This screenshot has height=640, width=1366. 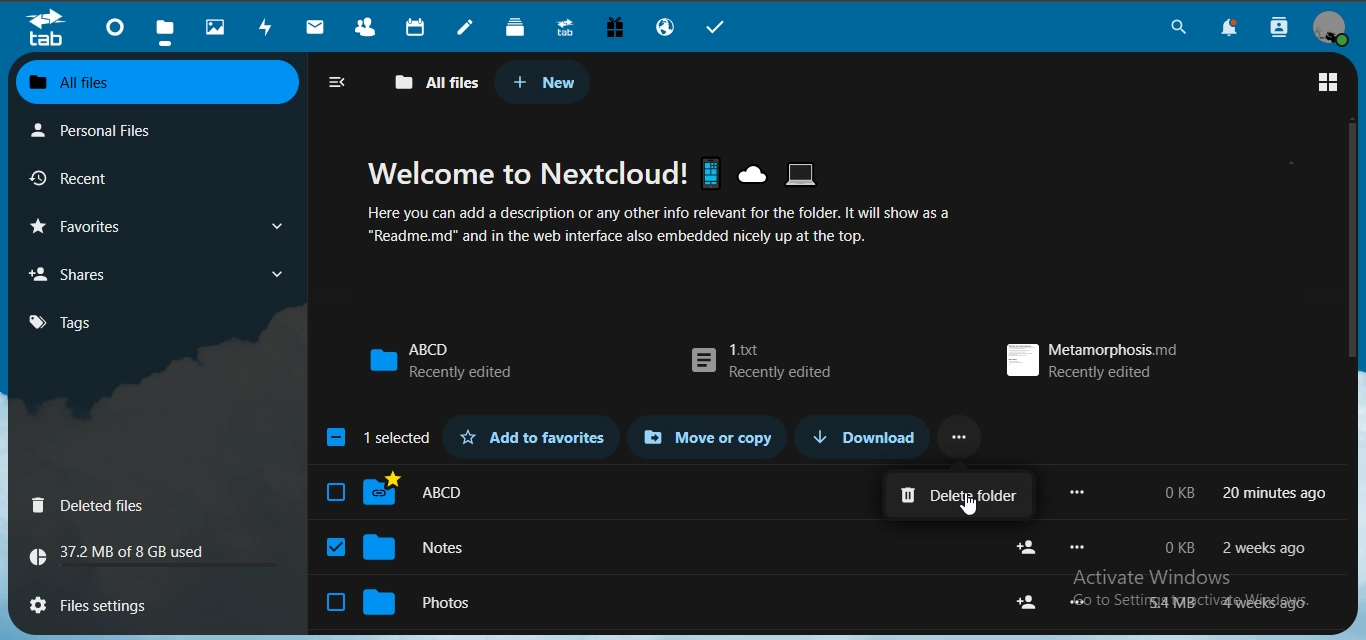 I want to click on search contacts, so click(x=1276, y=29).